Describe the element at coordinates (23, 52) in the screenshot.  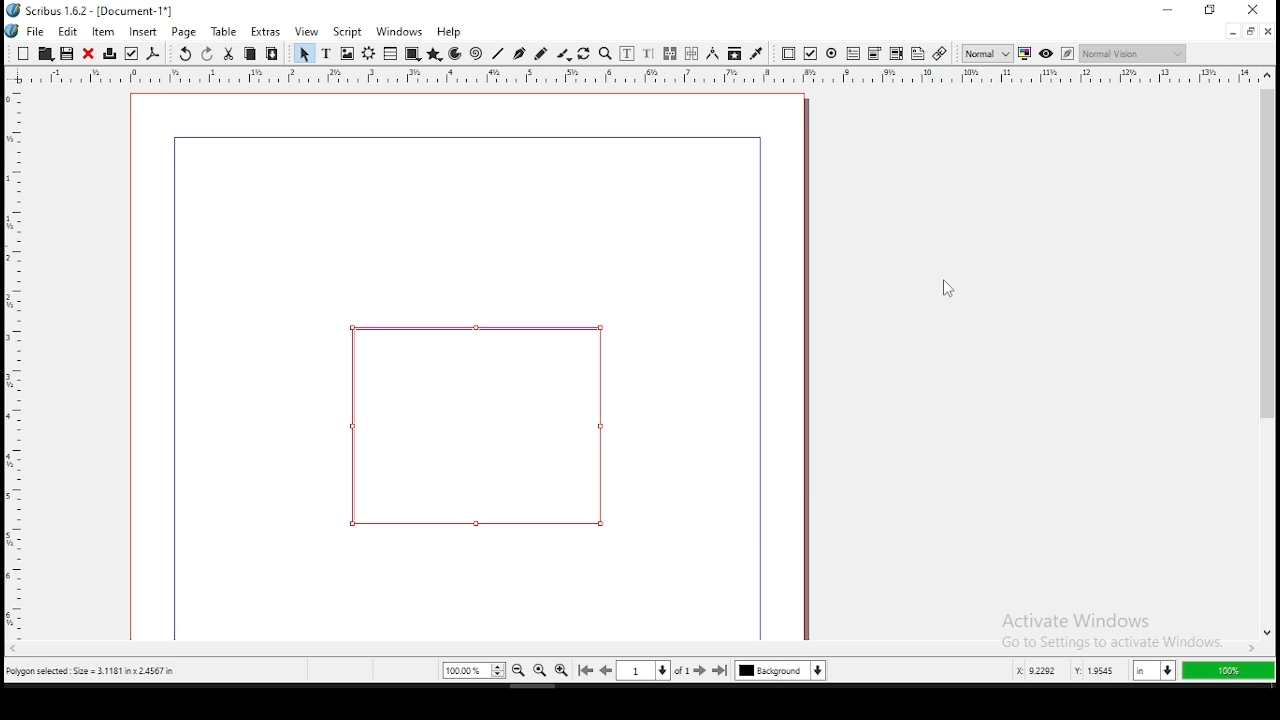
I see `new` at that location.